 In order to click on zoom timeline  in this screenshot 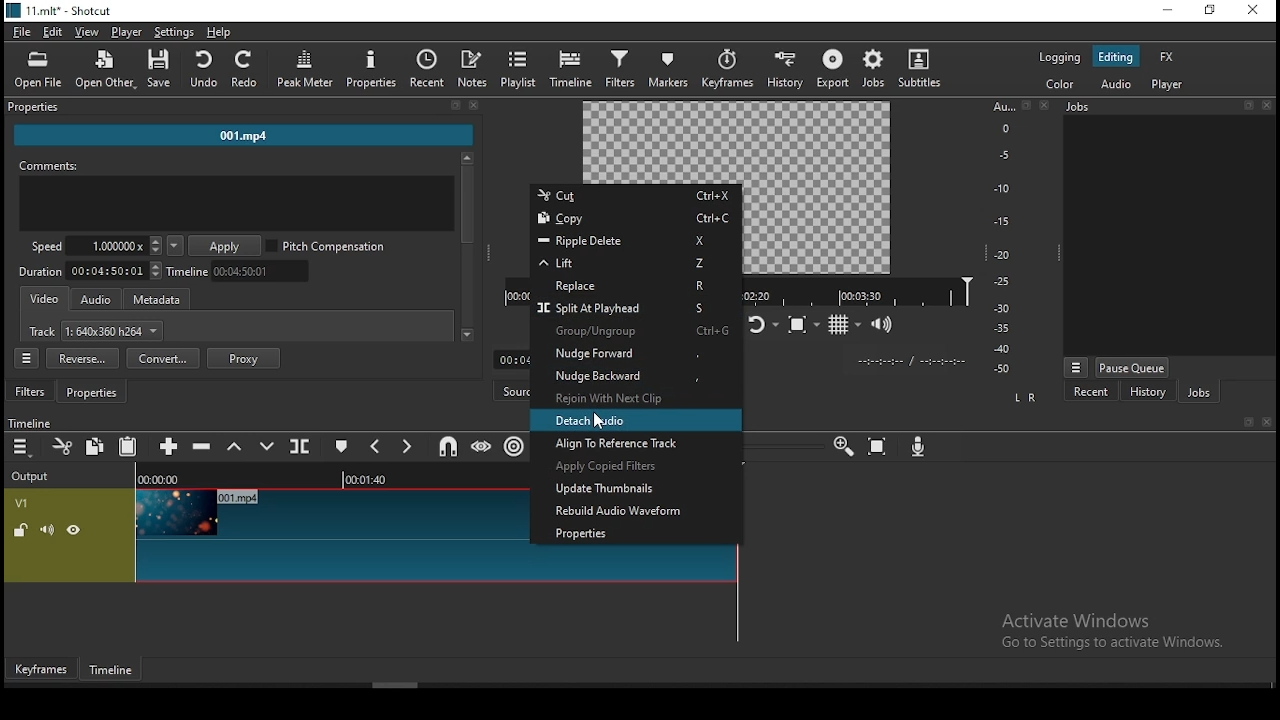, I will do `click(840, 445)`.